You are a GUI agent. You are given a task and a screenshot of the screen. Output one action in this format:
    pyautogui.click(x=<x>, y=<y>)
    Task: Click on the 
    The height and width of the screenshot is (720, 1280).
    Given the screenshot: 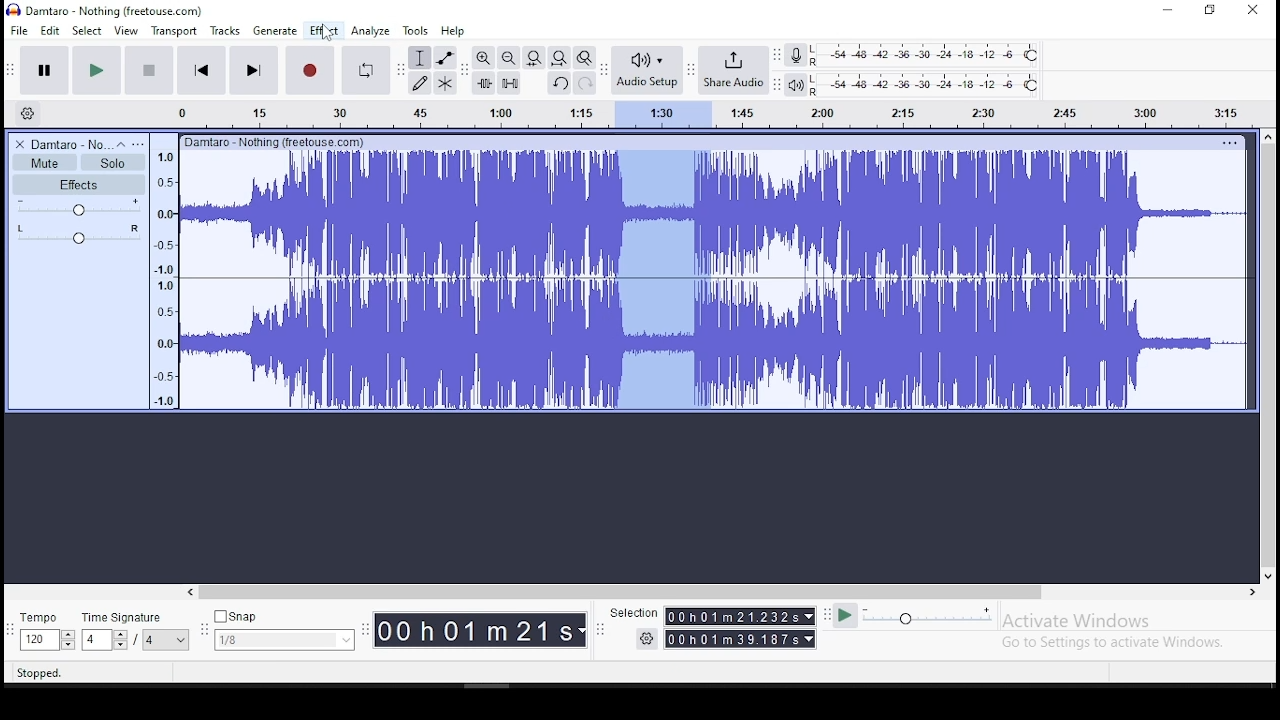 What is the action you would take?
    pyautogui.click(x=8, y=629)
    